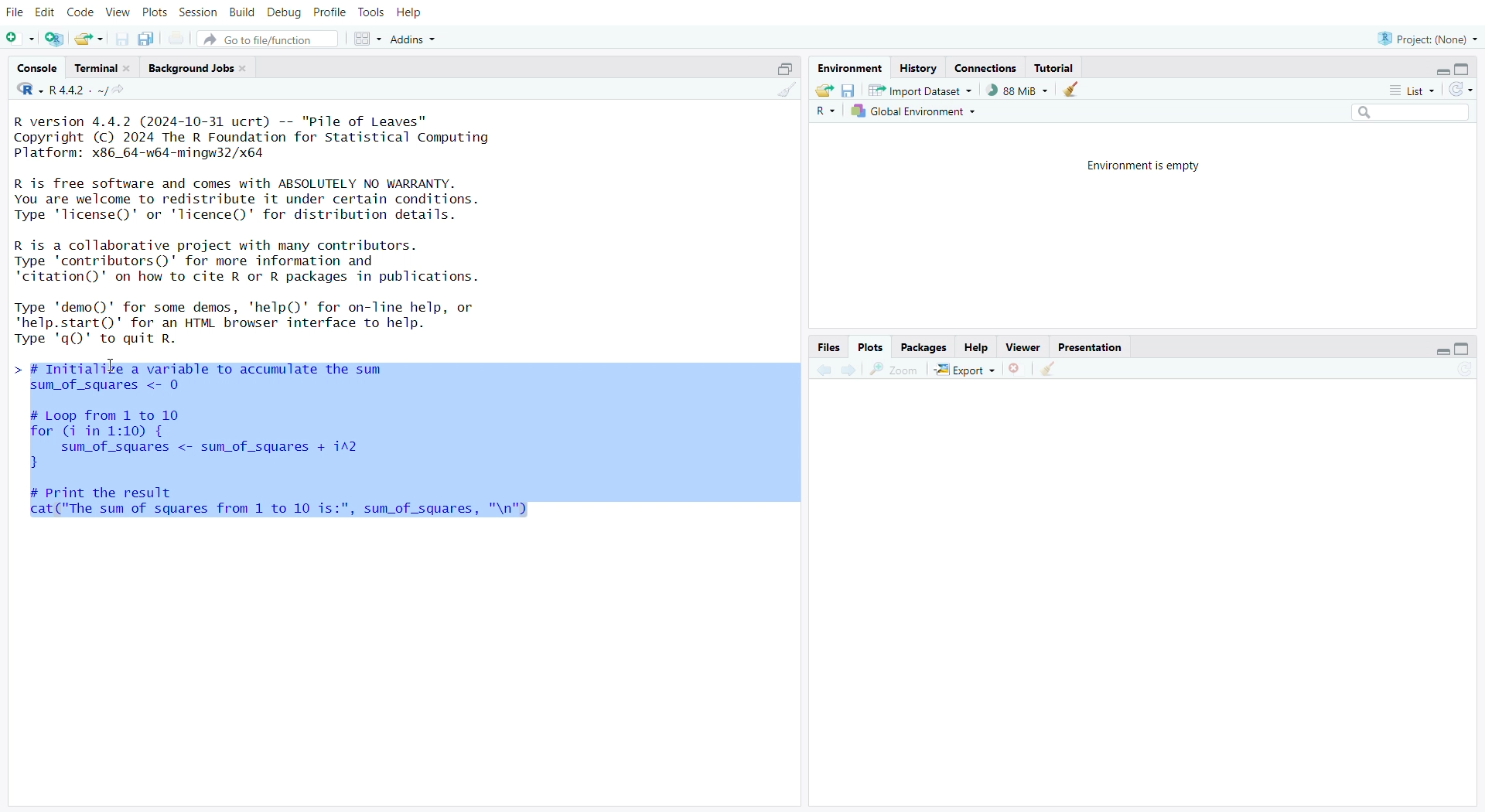 Image resolution: width=1485 pixels, height=812 pixels. I want to click on environment is empty, so click(1135, 167).